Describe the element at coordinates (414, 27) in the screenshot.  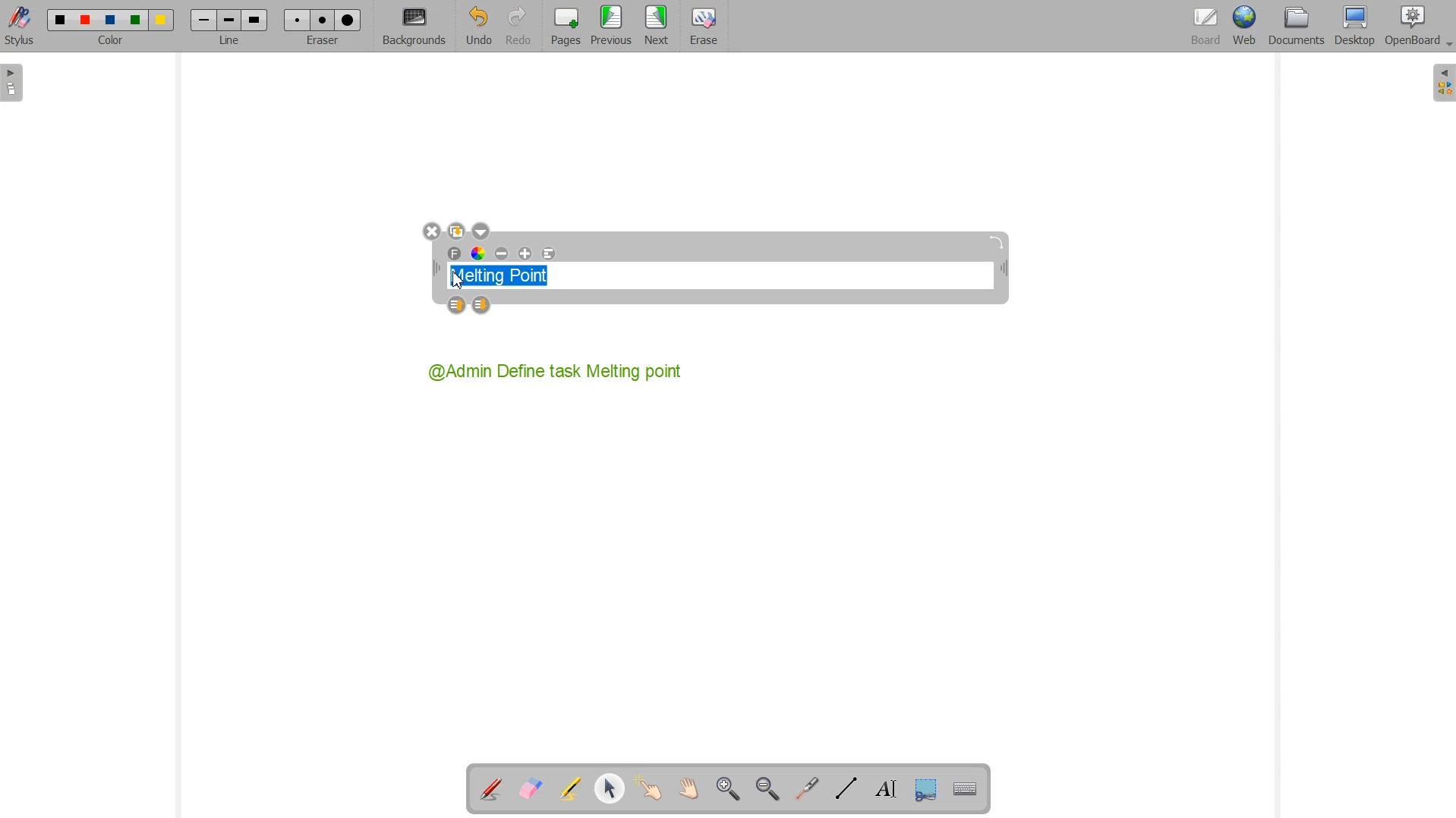
I see `Background` at that location.